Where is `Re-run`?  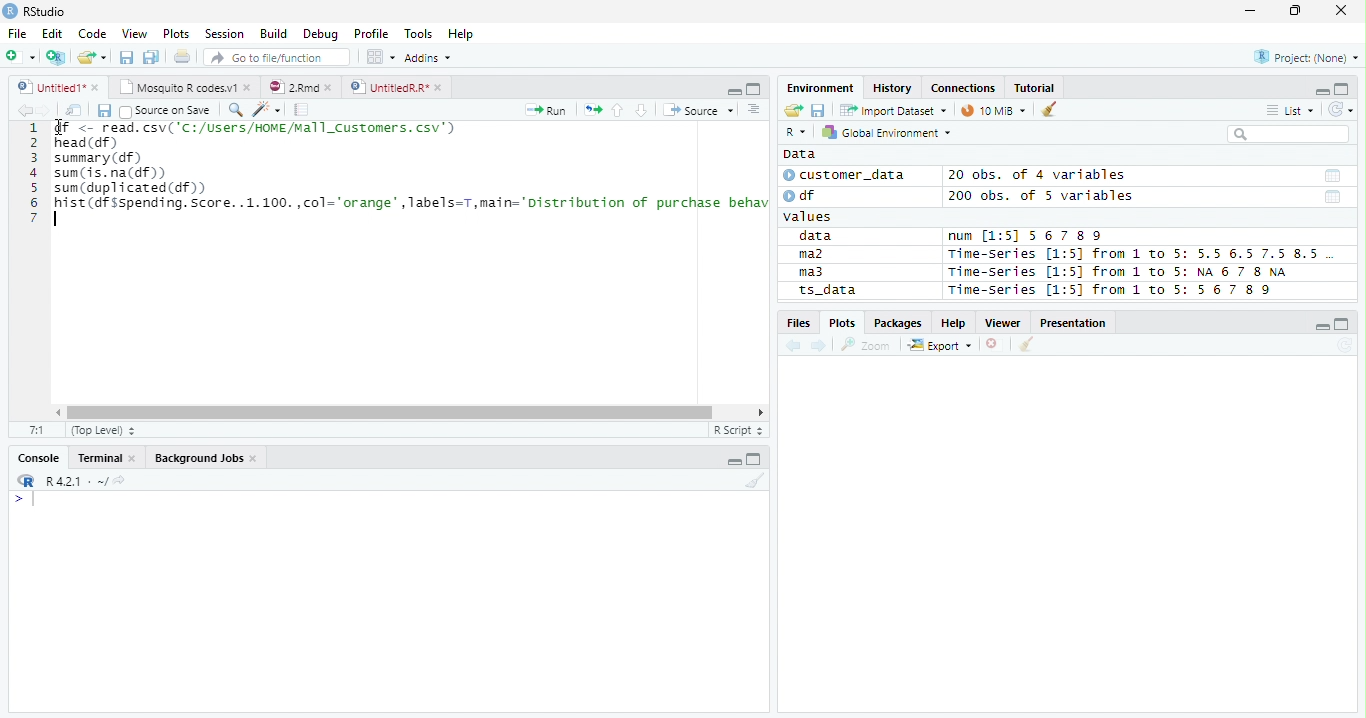
Re-run is located at coordinates (592, 111).